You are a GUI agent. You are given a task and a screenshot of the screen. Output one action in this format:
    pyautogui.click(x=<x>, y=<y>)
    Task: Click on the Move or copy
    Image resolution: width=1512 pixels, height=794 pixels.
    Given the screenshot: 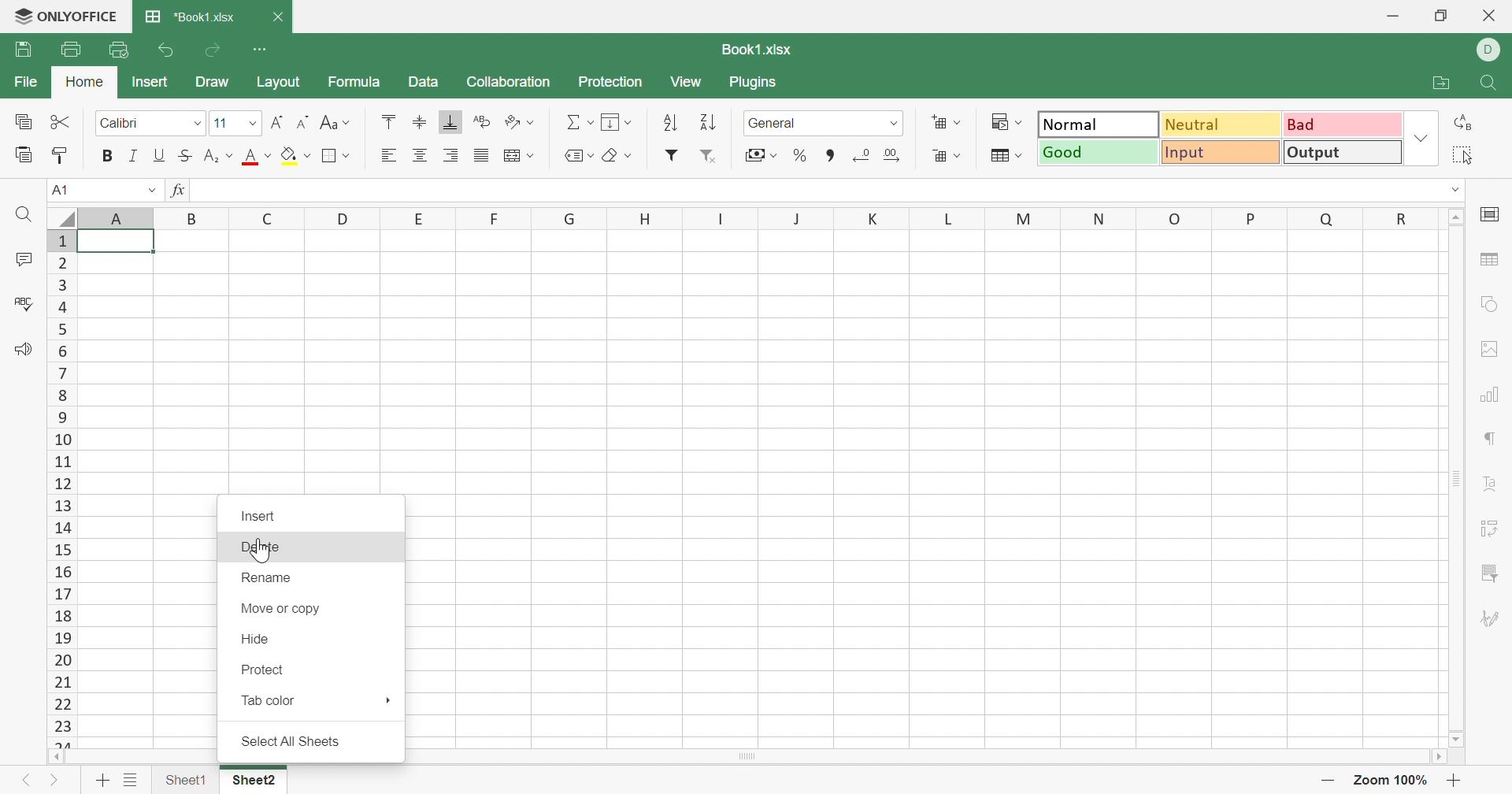 What is the action you would take?
    pyautogui.click(x=281, y=607)
    